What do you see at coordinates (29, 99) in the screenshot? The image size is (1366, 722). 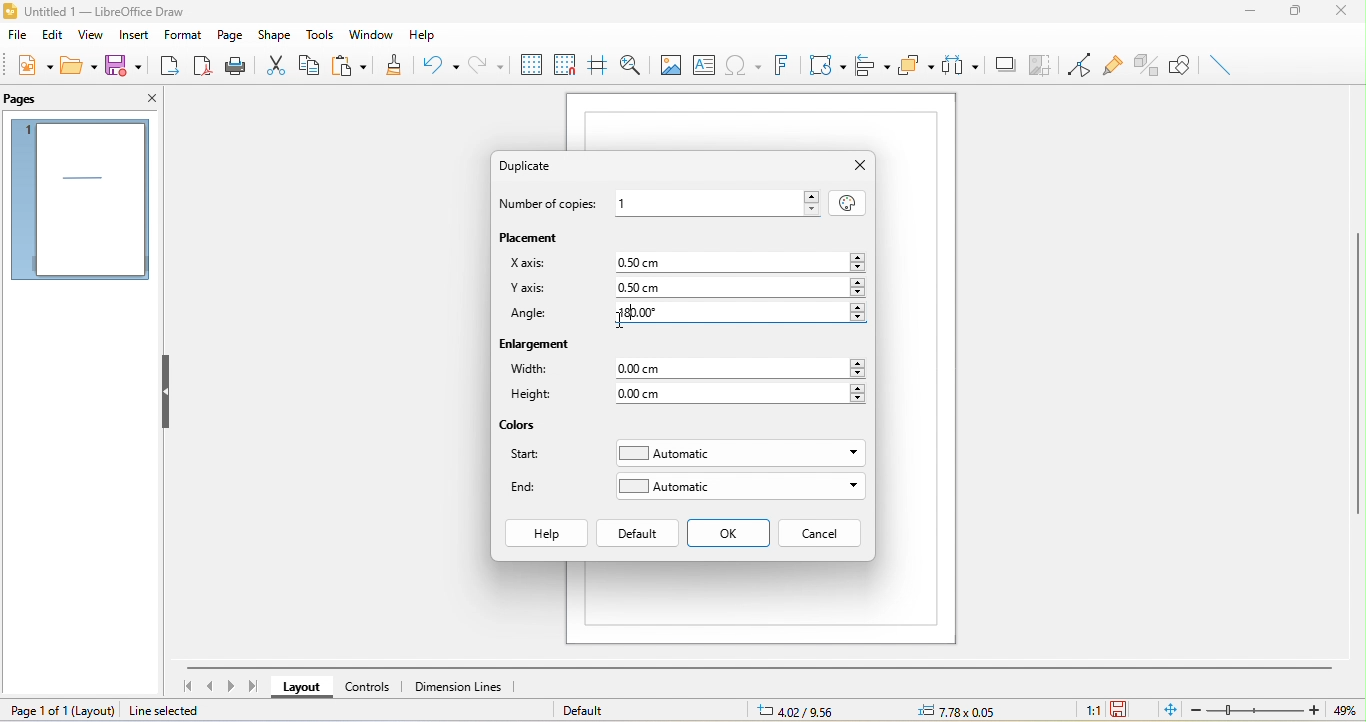 I see `pages` at bounding box center [29, 99].